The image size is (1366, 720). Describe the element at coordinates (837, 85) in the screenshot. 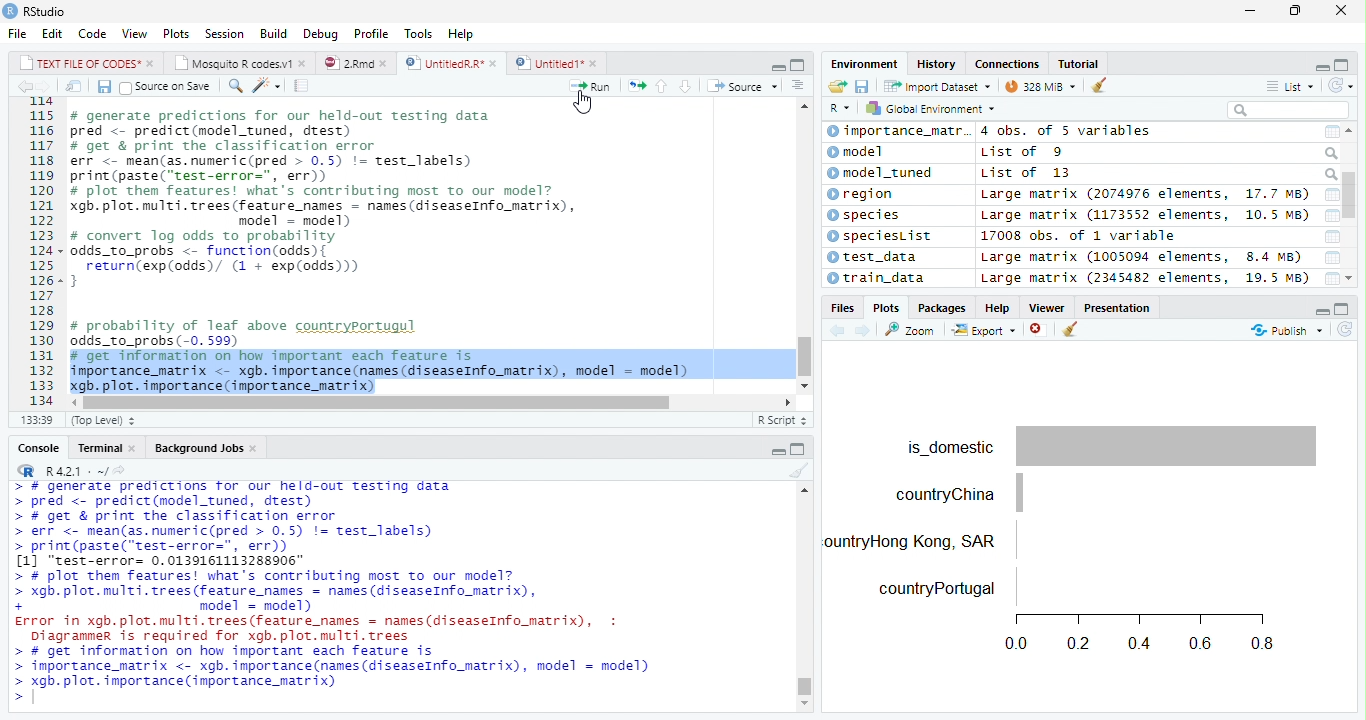

I see `Open folder` at that location.